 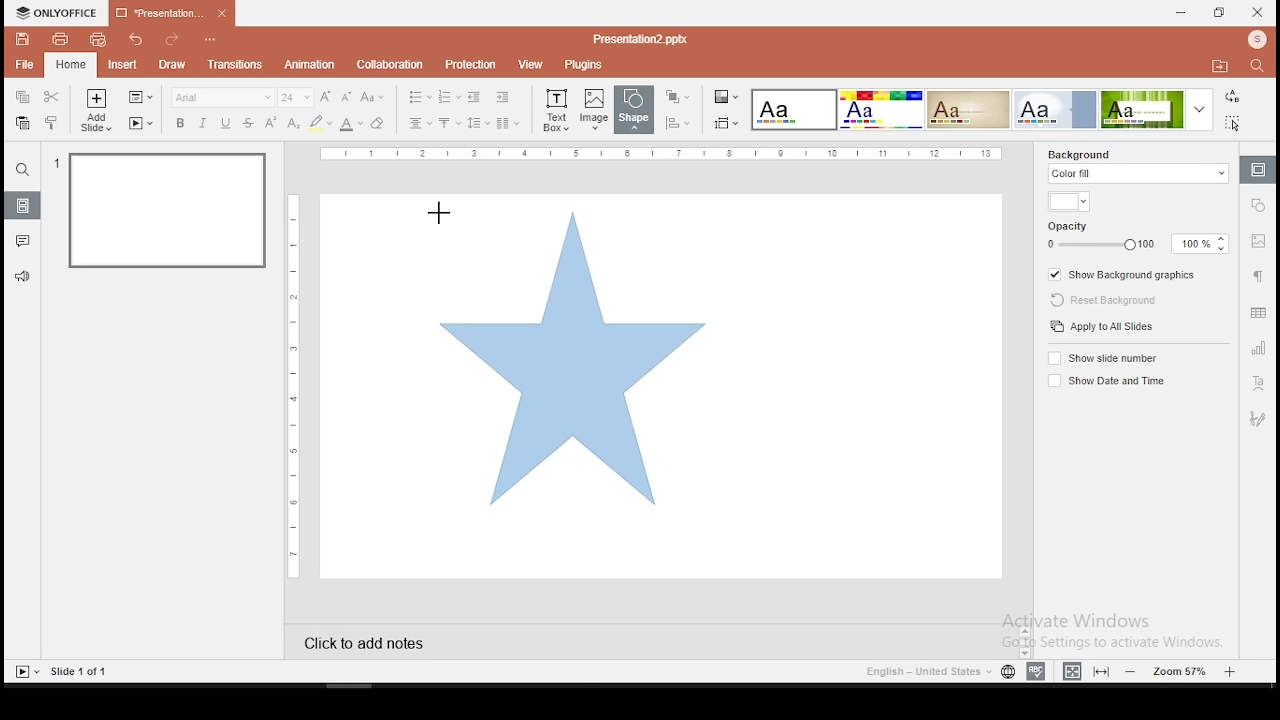 What do you see at coordinates (1233, 97) in the screenshot?
I see `replace` at bounding box center [1233, 97].